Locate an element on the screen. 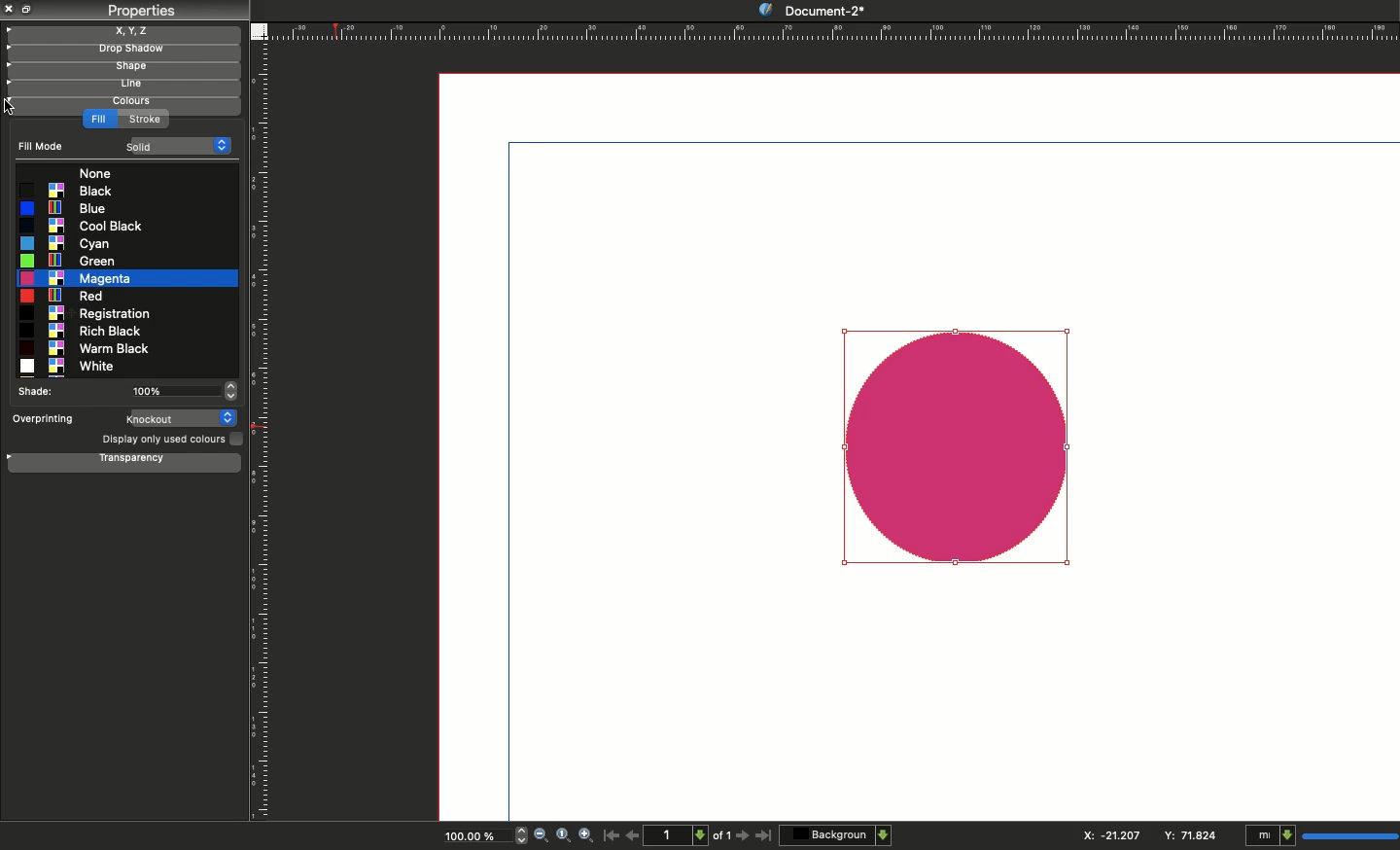 The height and width of the screenshot is (850, 1400). mI is located at coordinates (1318, 836).